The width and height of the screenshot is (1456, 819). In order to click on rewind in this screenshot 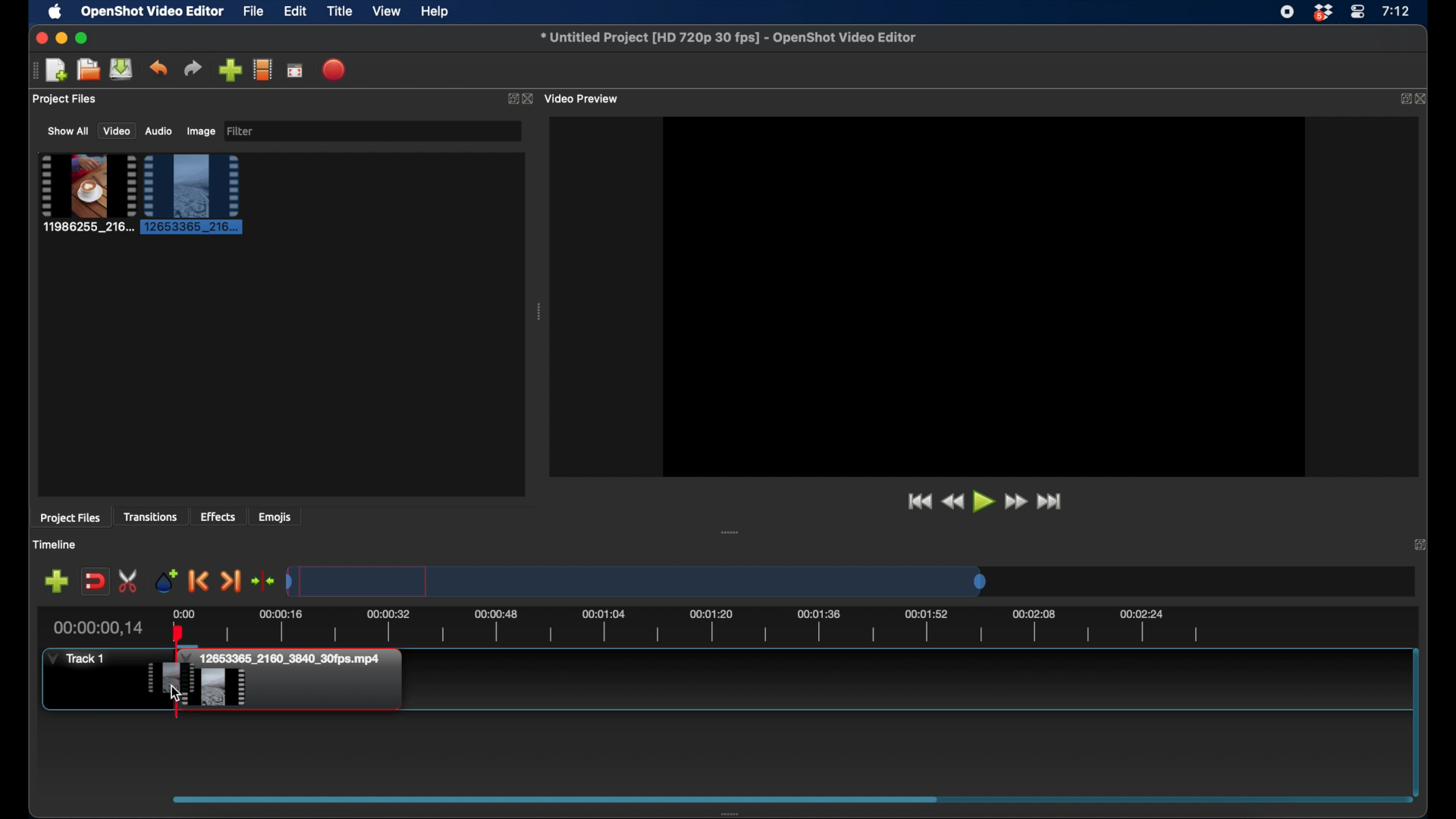, I will do `click(954, 503)`.